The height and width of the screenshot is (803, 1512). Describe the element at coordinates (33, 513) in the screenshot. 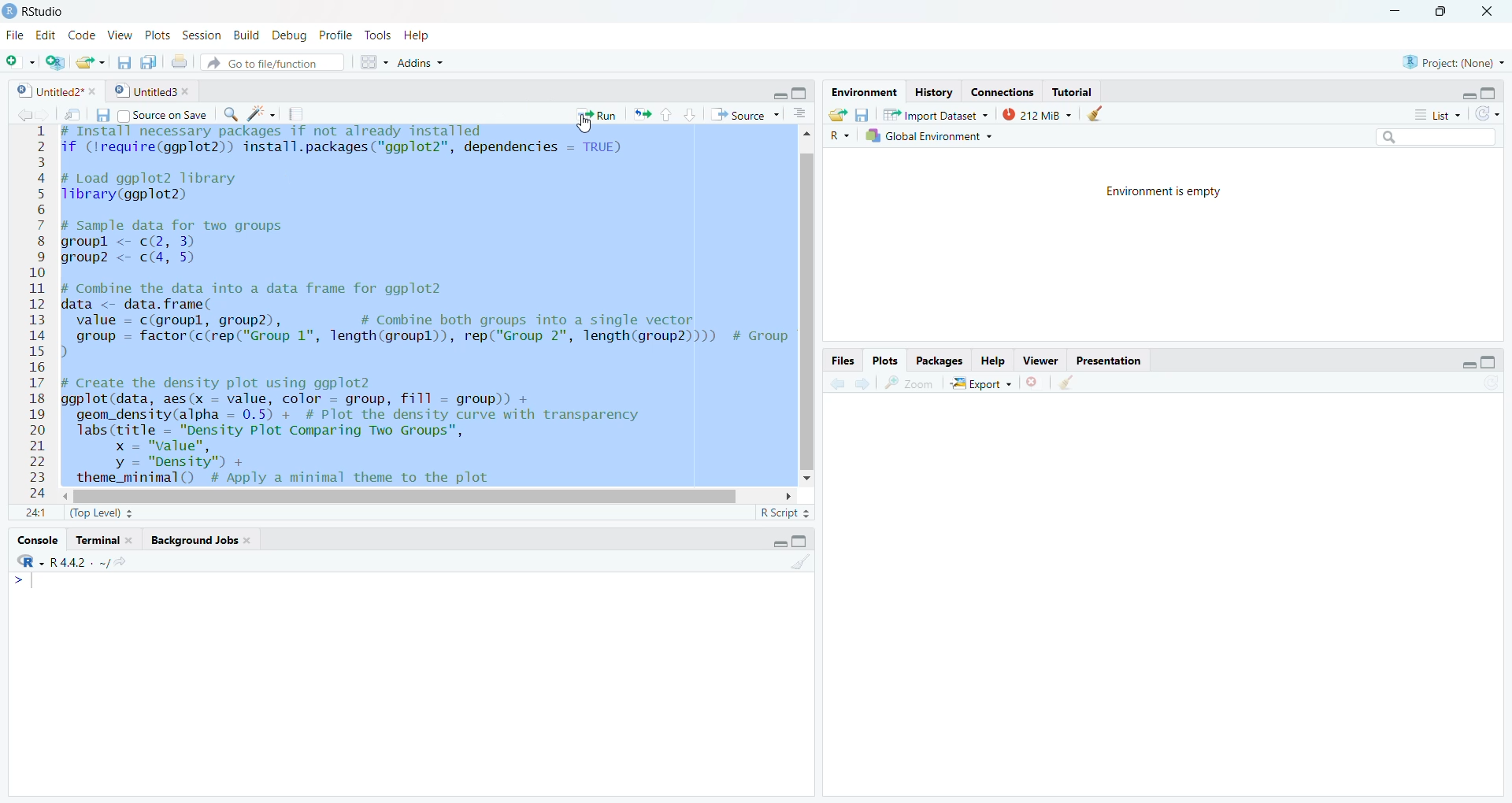

I see `1 1` at that location.